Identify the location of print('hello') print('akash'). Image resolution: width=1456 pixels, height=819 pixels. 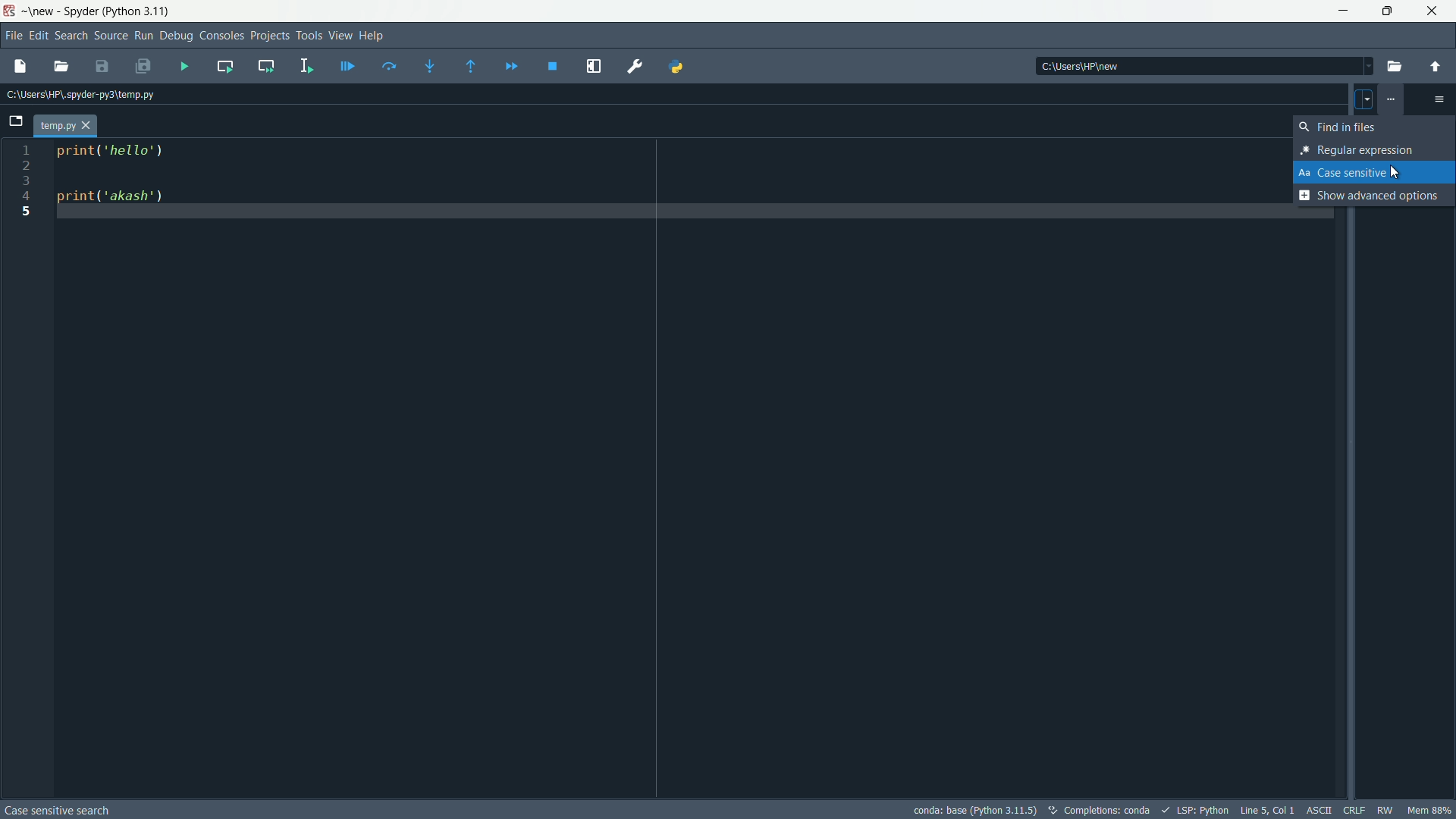
(666, 186).